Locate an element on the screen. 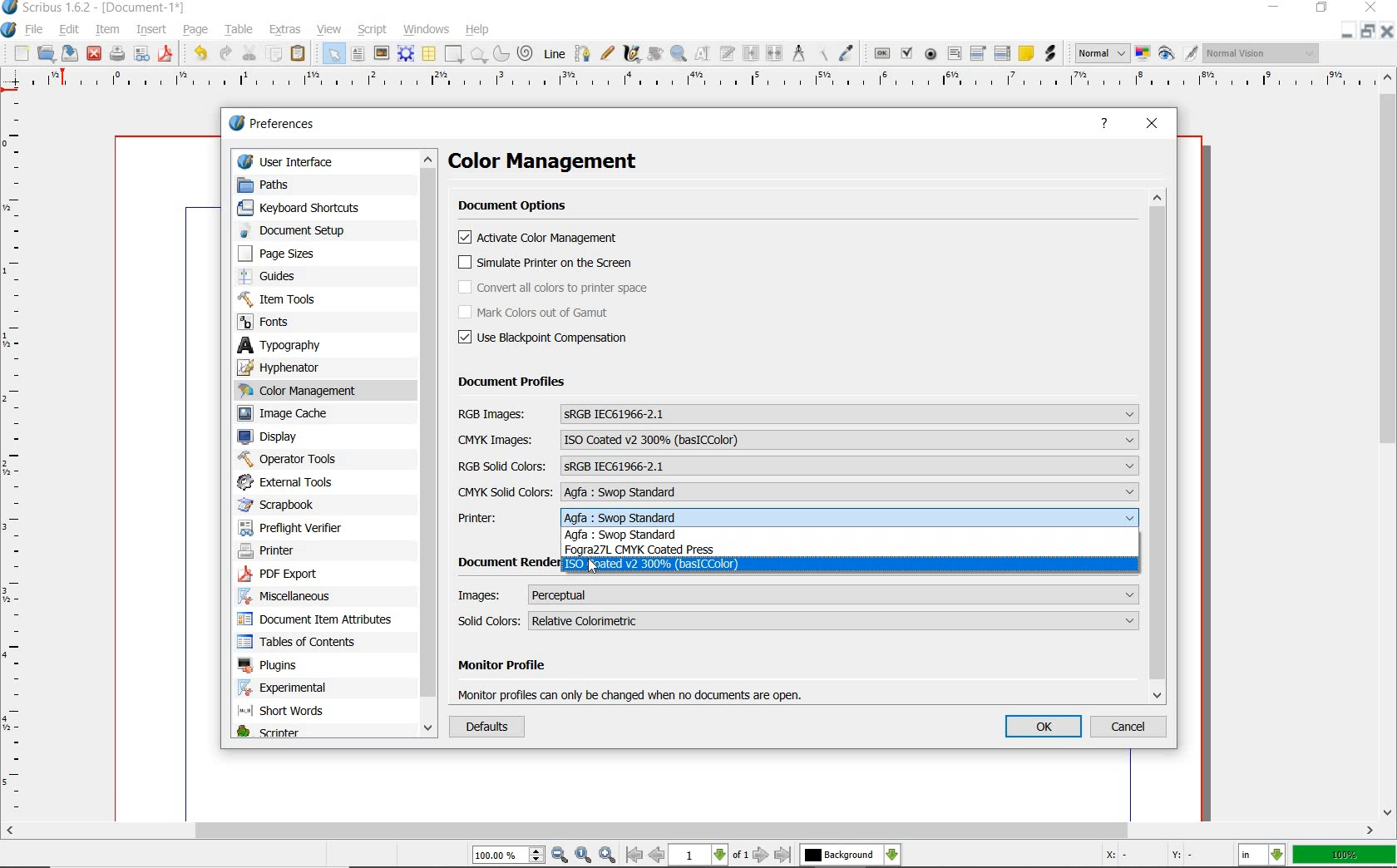 The width and height of the screenshot is (1397, 868). OK is located at coordinates (1044, 727).